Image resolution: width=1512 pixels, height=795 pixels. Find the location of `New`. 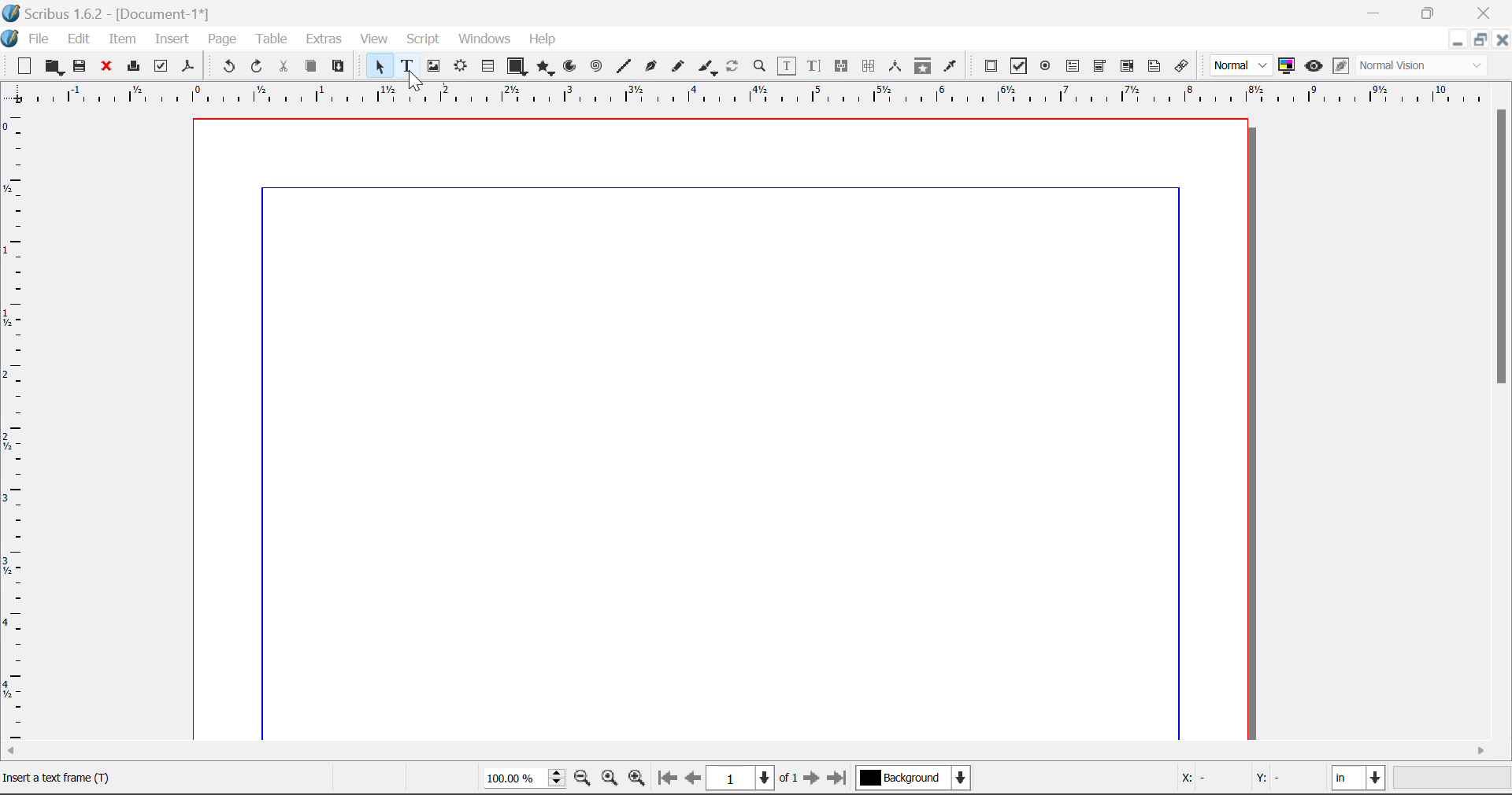

New is located at coordinates (23, 66).